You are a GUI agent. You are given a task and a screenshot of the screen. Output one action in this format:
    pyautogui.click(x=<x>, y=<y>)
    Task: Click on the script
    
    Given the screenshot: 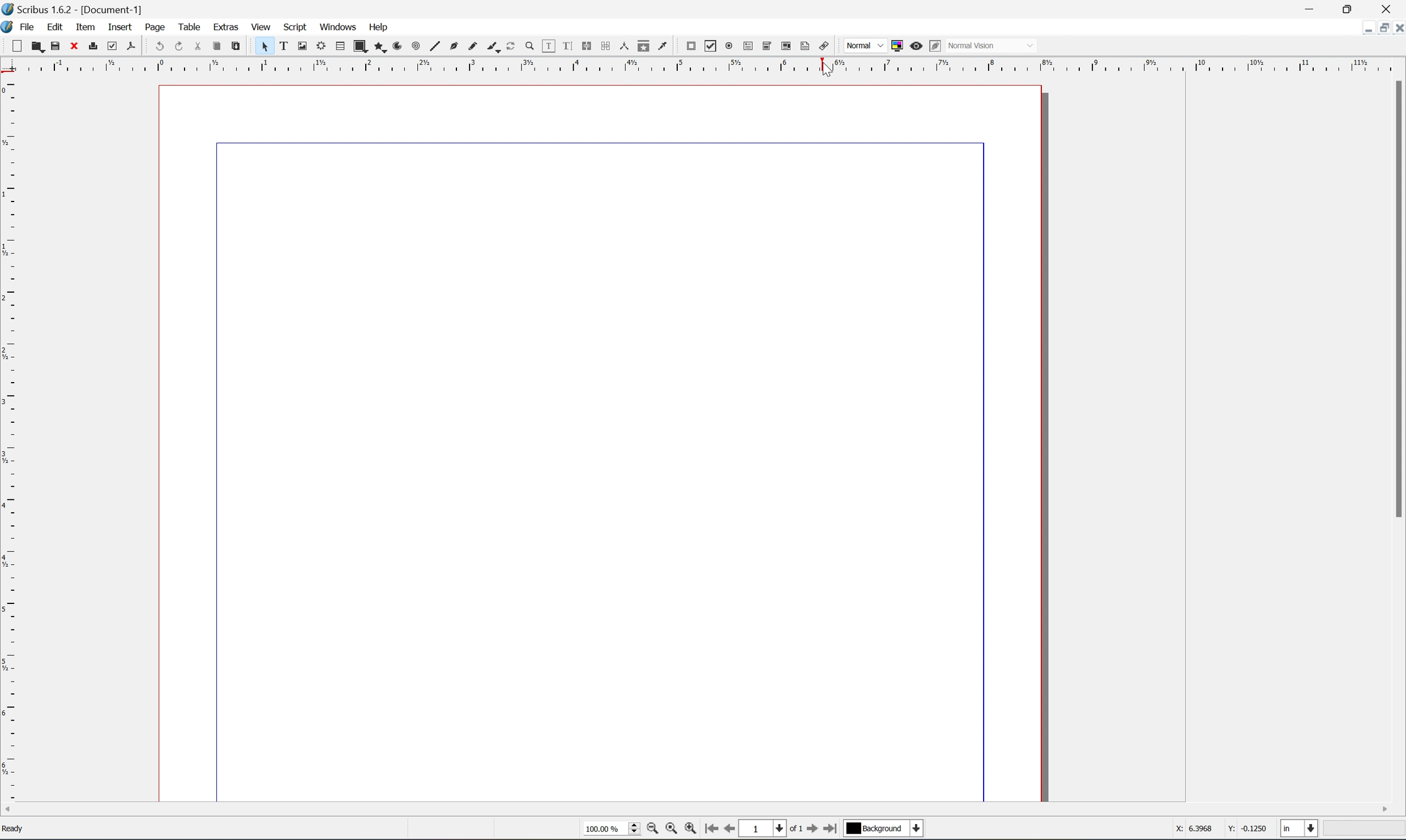 What is the action you would take?
    pyautogui.click(x=298, y=27)
    